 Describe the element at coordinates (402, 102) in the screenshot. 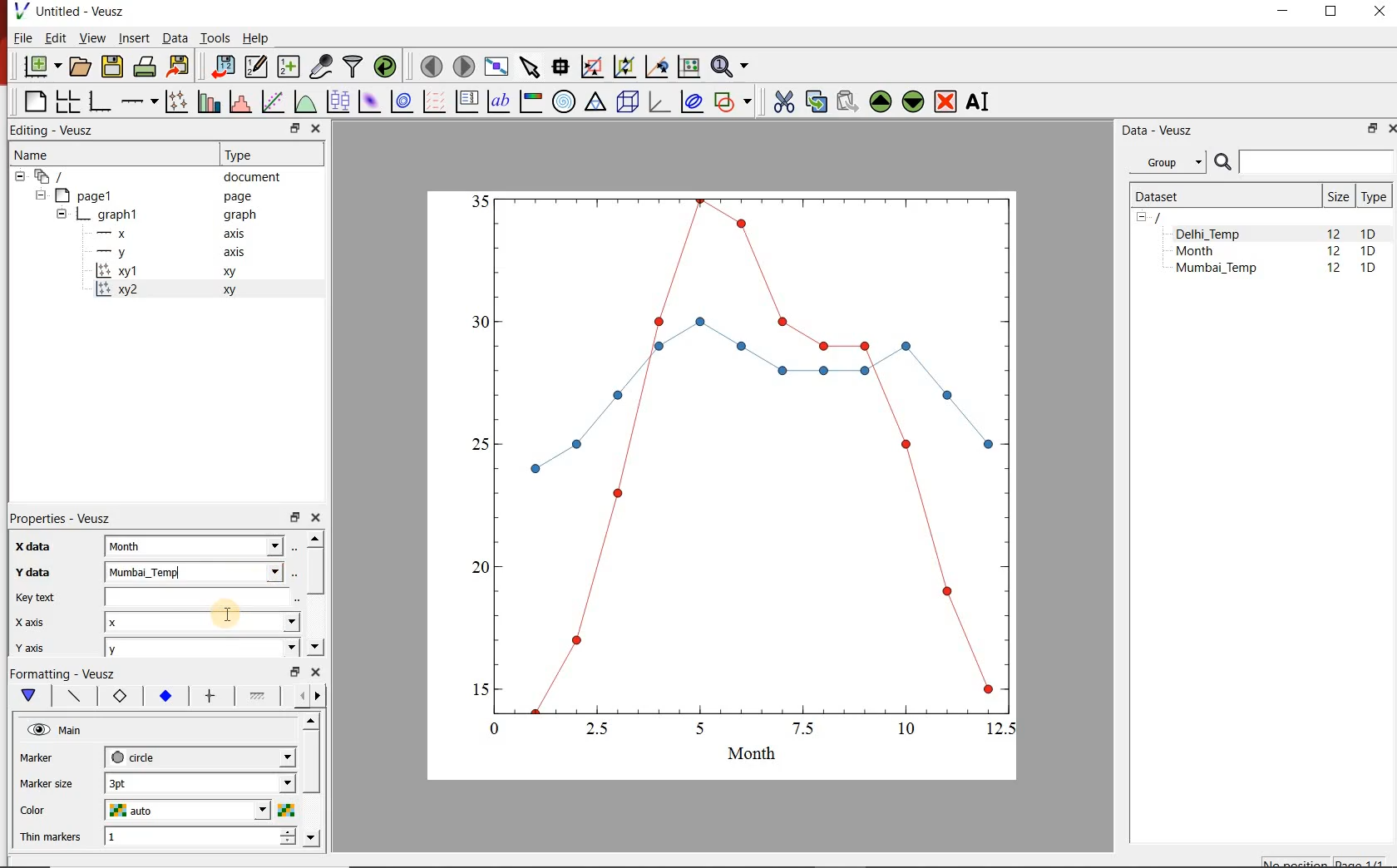

I see `plot a 2d dataset as contours` at that location.